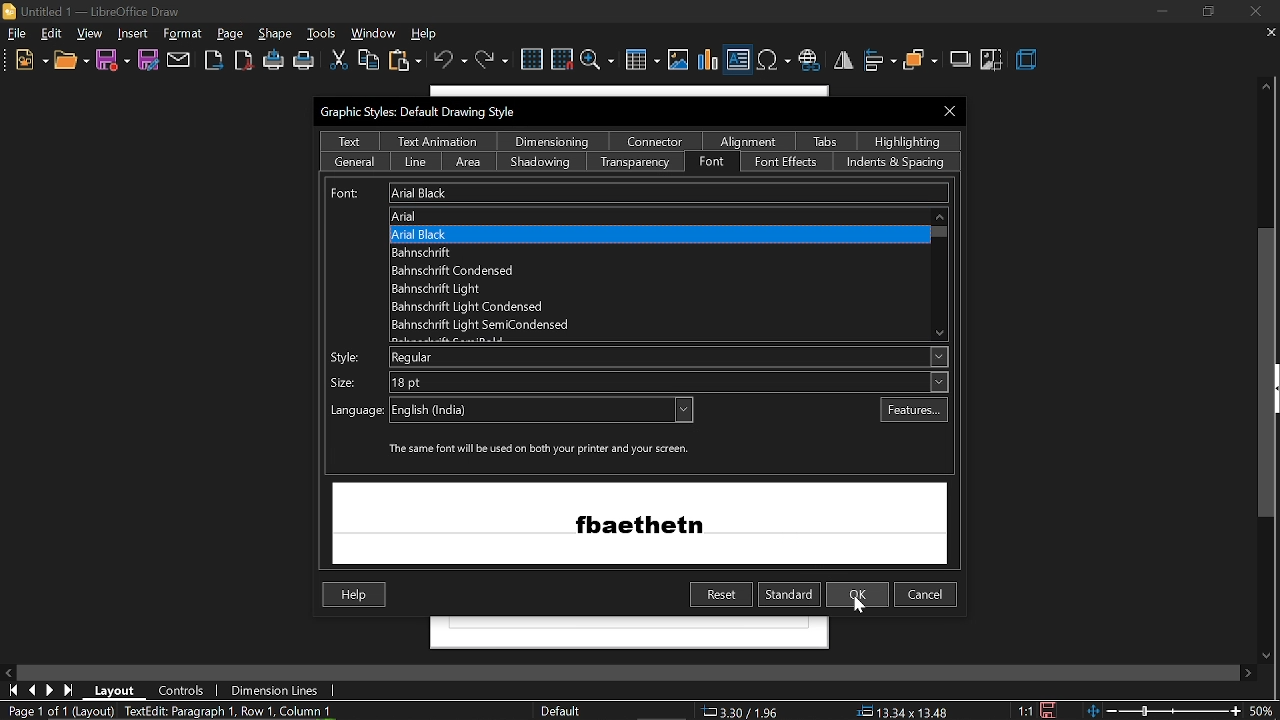  I want to click on next page, so click(50, 690).